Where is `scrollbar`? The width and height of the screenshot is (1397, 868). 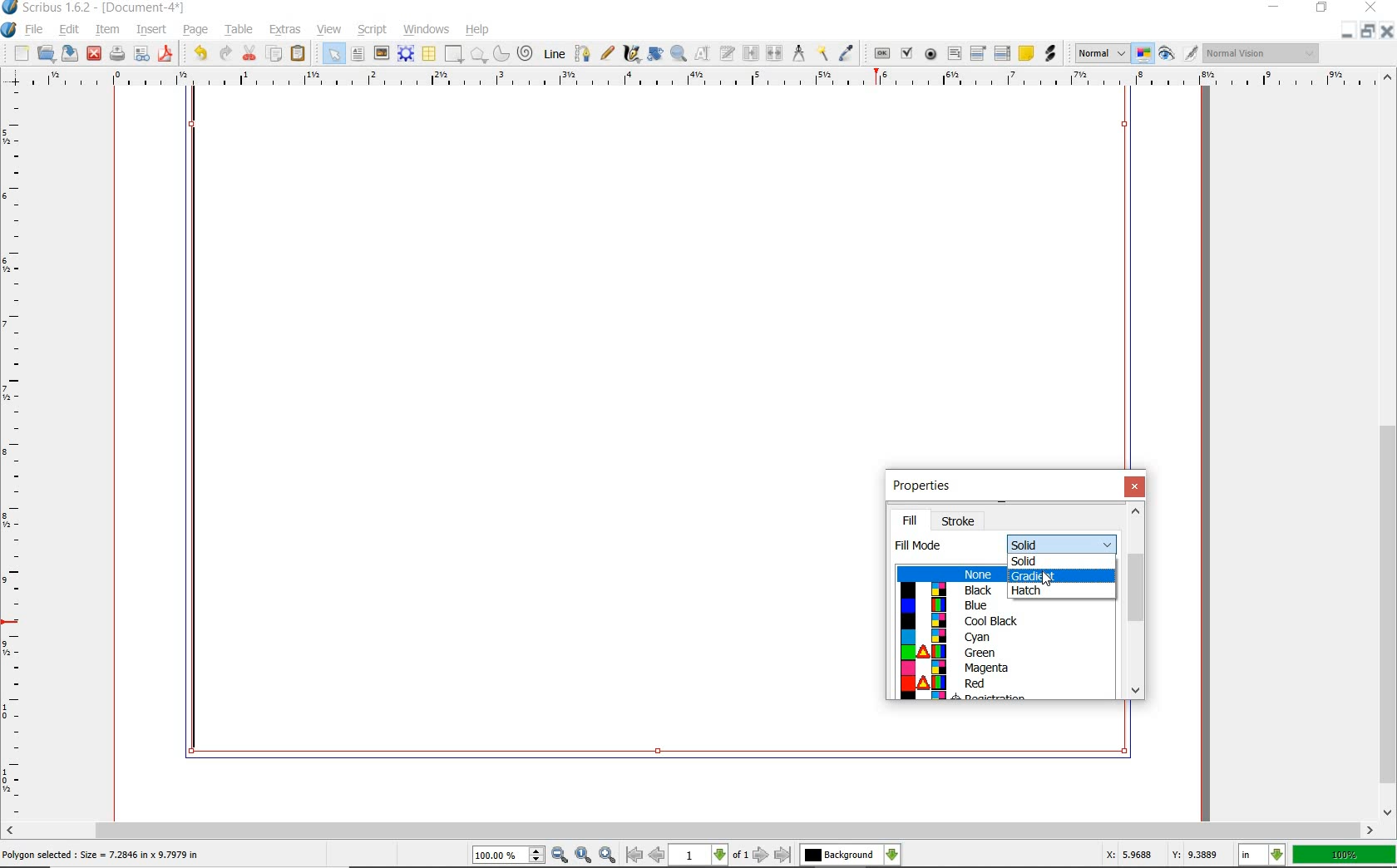
scrollbar is located at coordinates (1387, 445).